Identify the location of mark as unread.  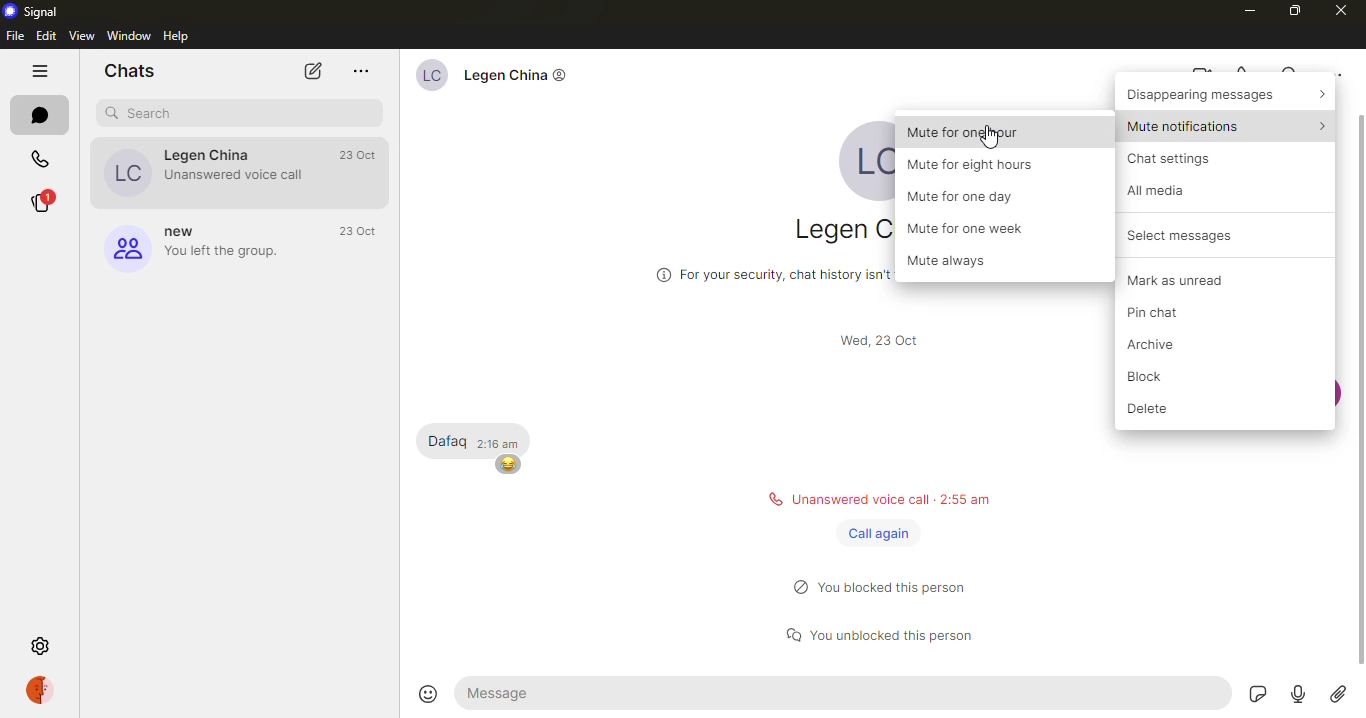
(1185, 280).